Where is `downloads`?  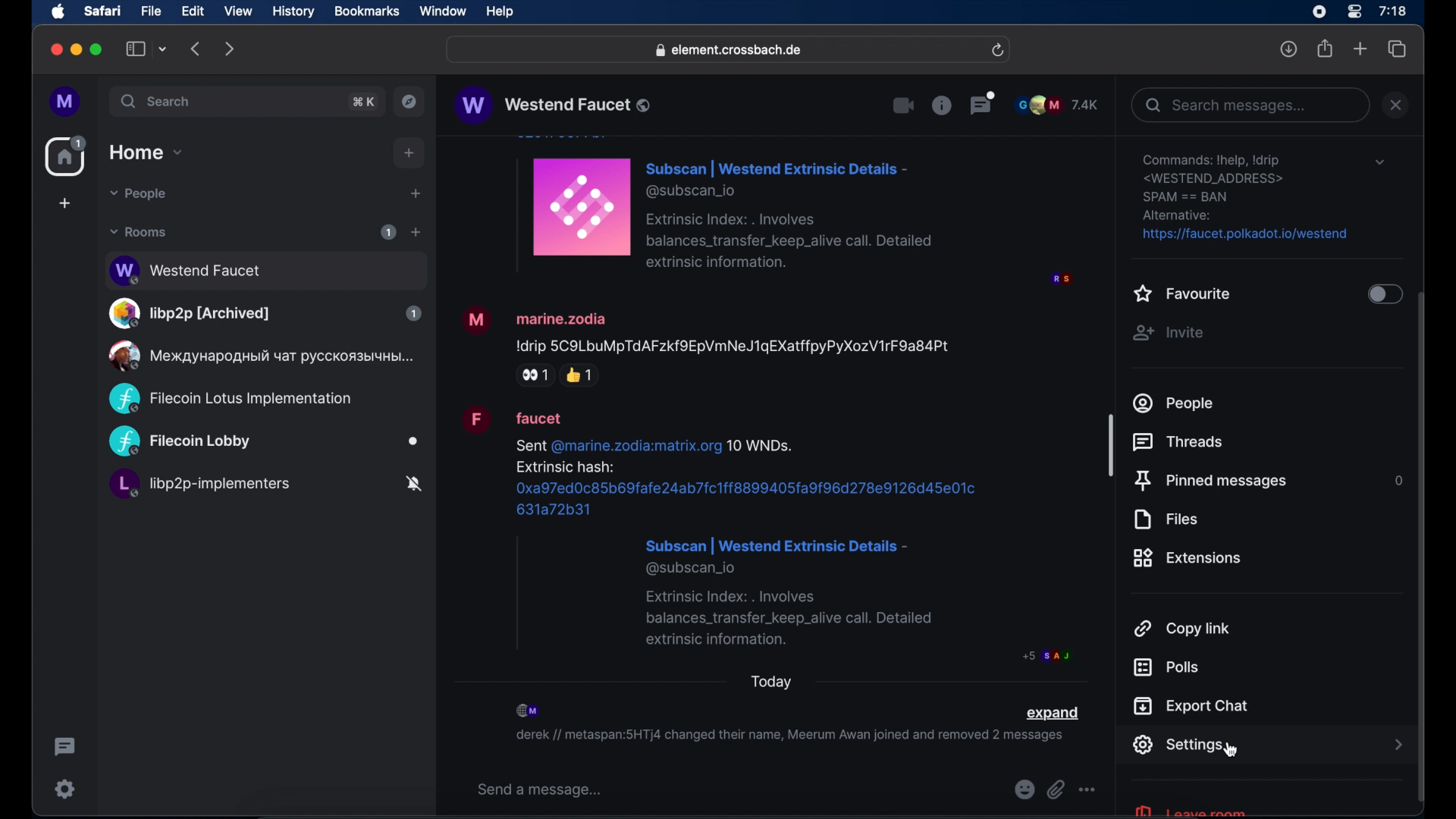 downloads is located at coordinates (1289, 49).